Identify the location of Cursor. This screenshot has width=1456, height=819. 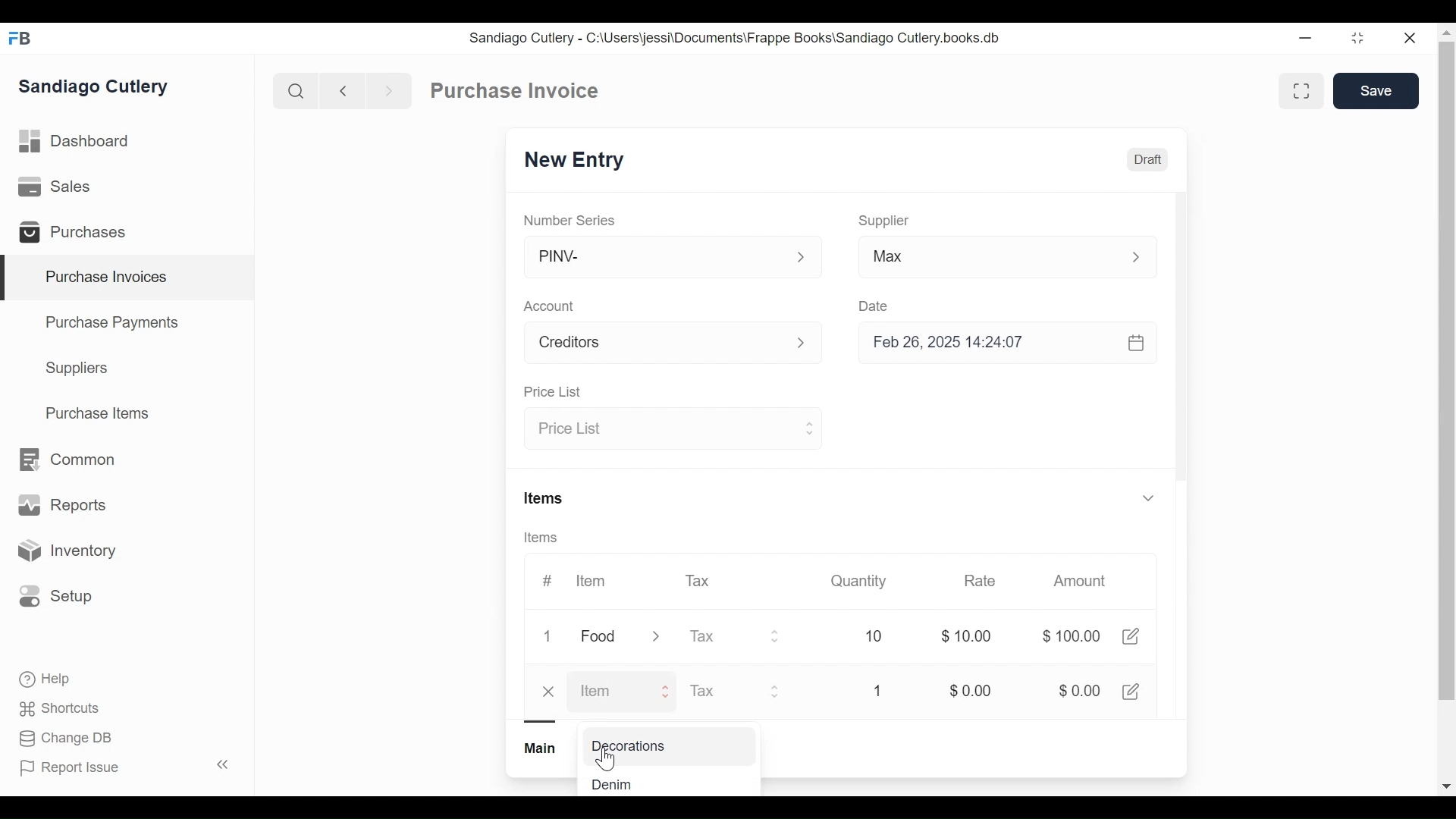
(610, 760).